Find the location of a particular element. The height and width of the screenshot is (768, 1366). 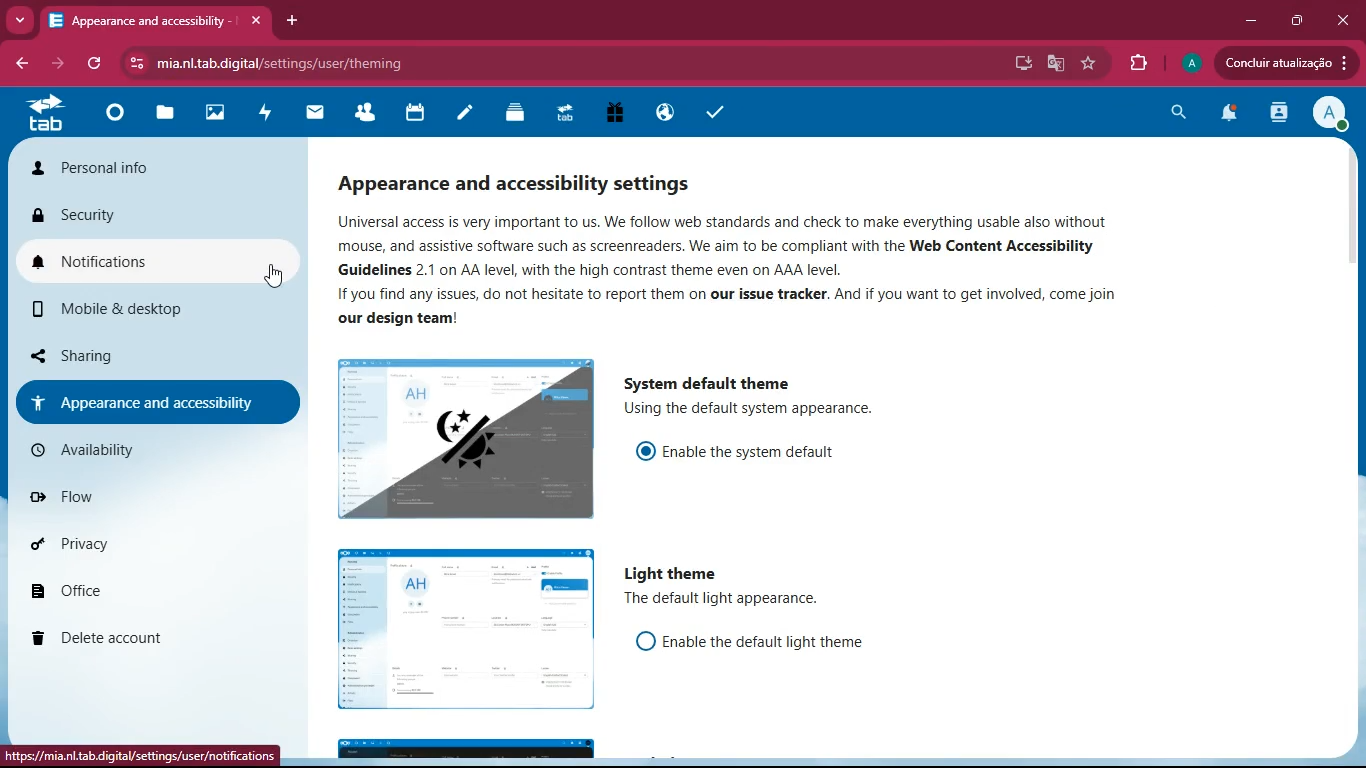

light theme is located at coordinates (675, 571).